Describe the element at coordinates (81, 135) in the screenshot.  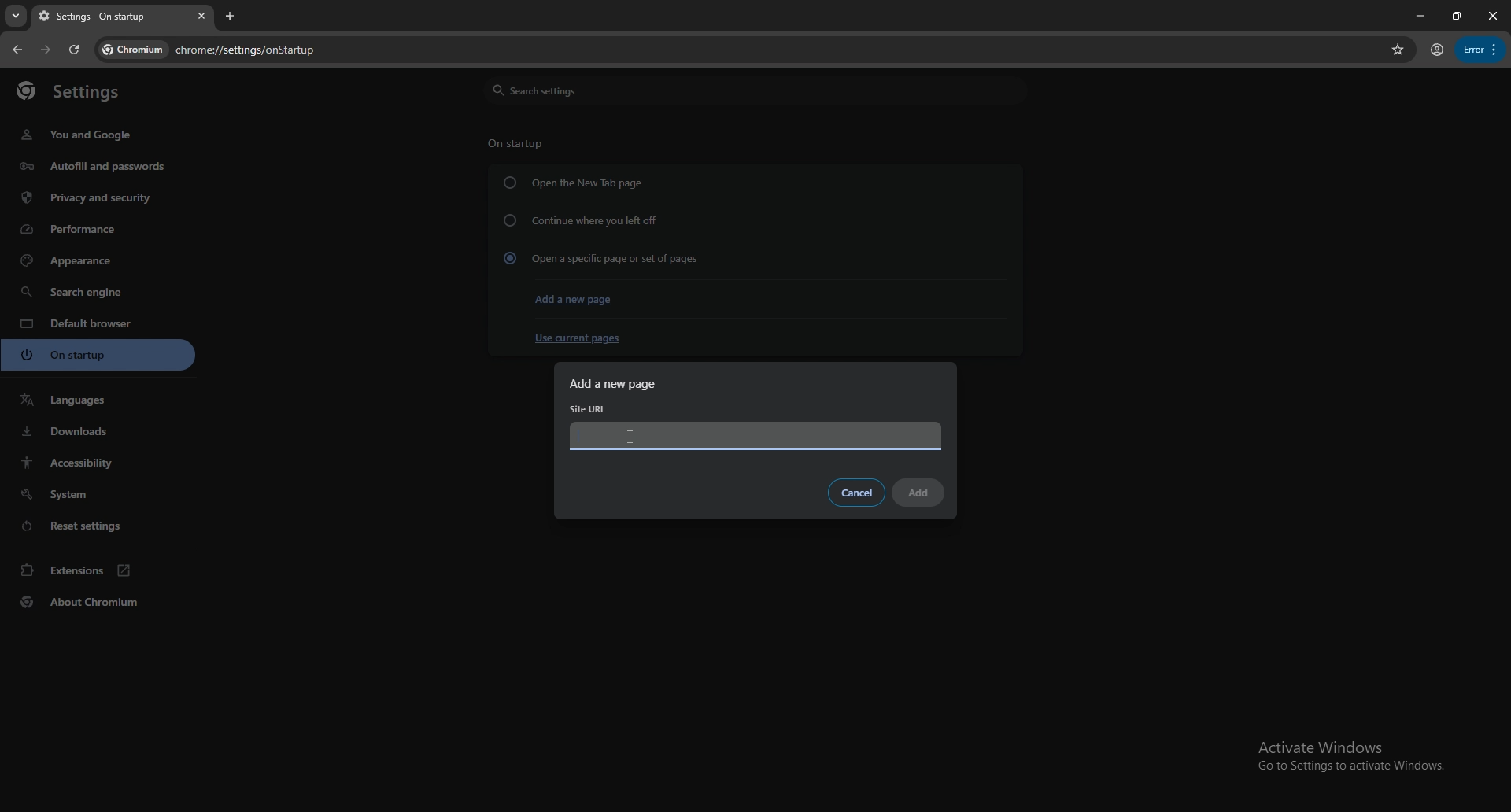
I see `you and google` at that location.